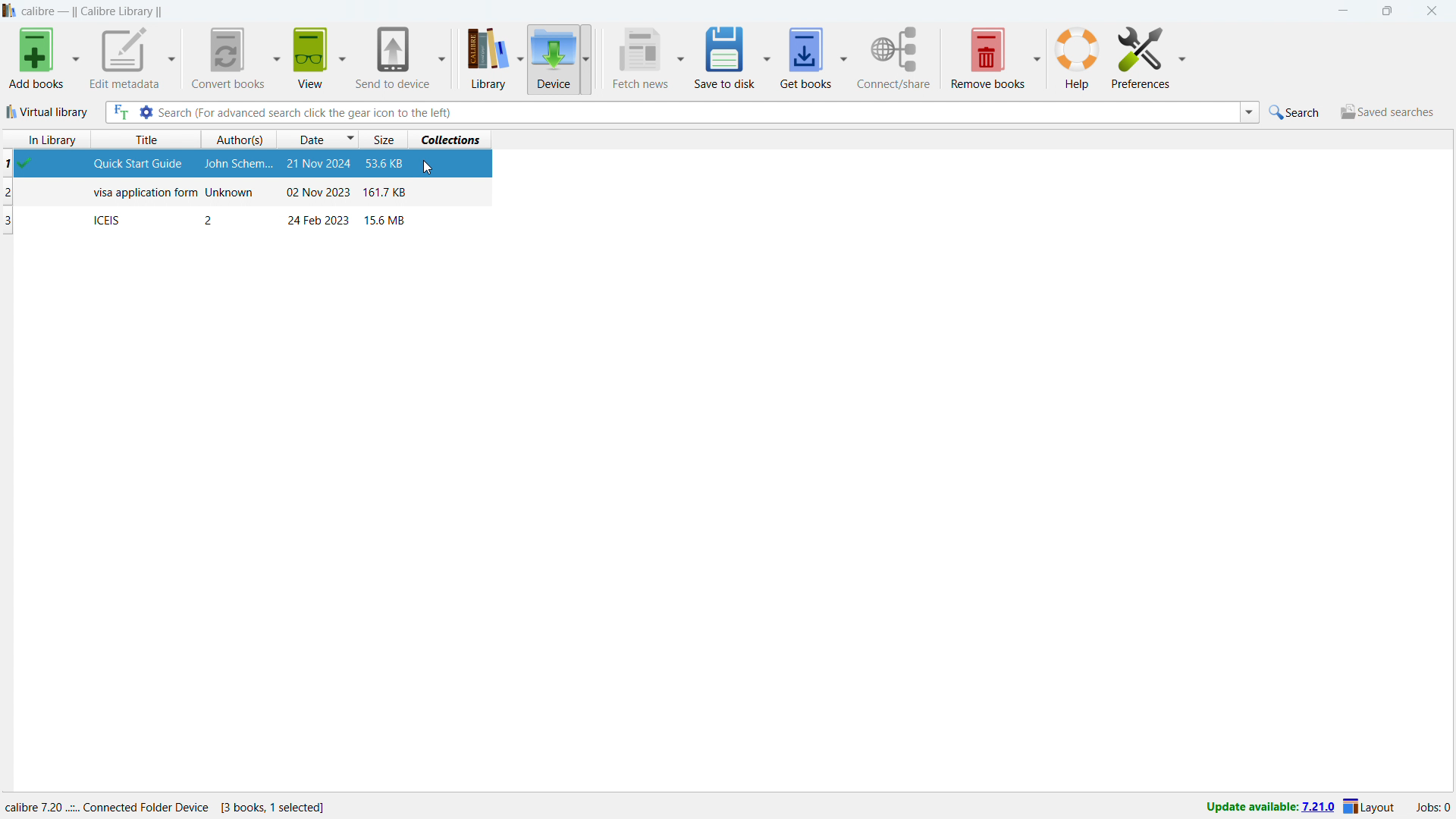 This screenshot has height=819, width=1456. I want to click on save to disk options, so click(767, 55).